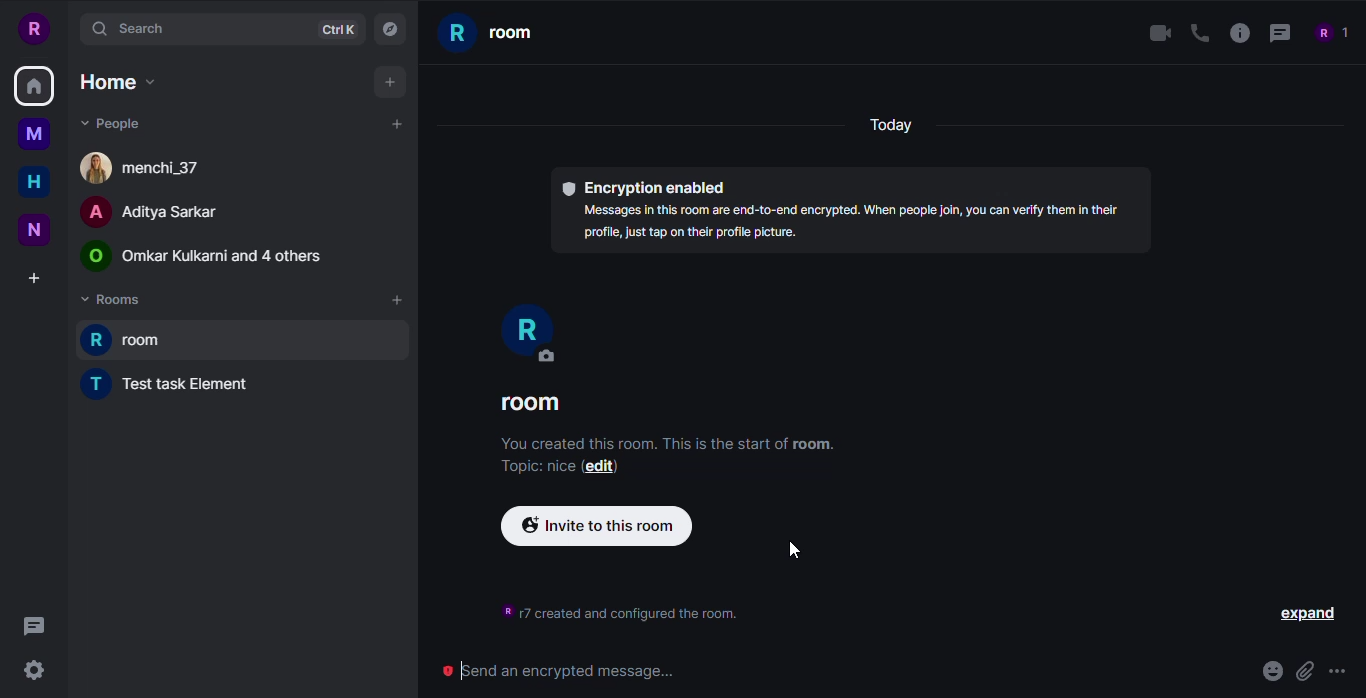 Image resolution: width=1366 pixels, height=698 pixels. Describe the element at coordinates (204, 257) in the screenshot. I see `people` at that location.